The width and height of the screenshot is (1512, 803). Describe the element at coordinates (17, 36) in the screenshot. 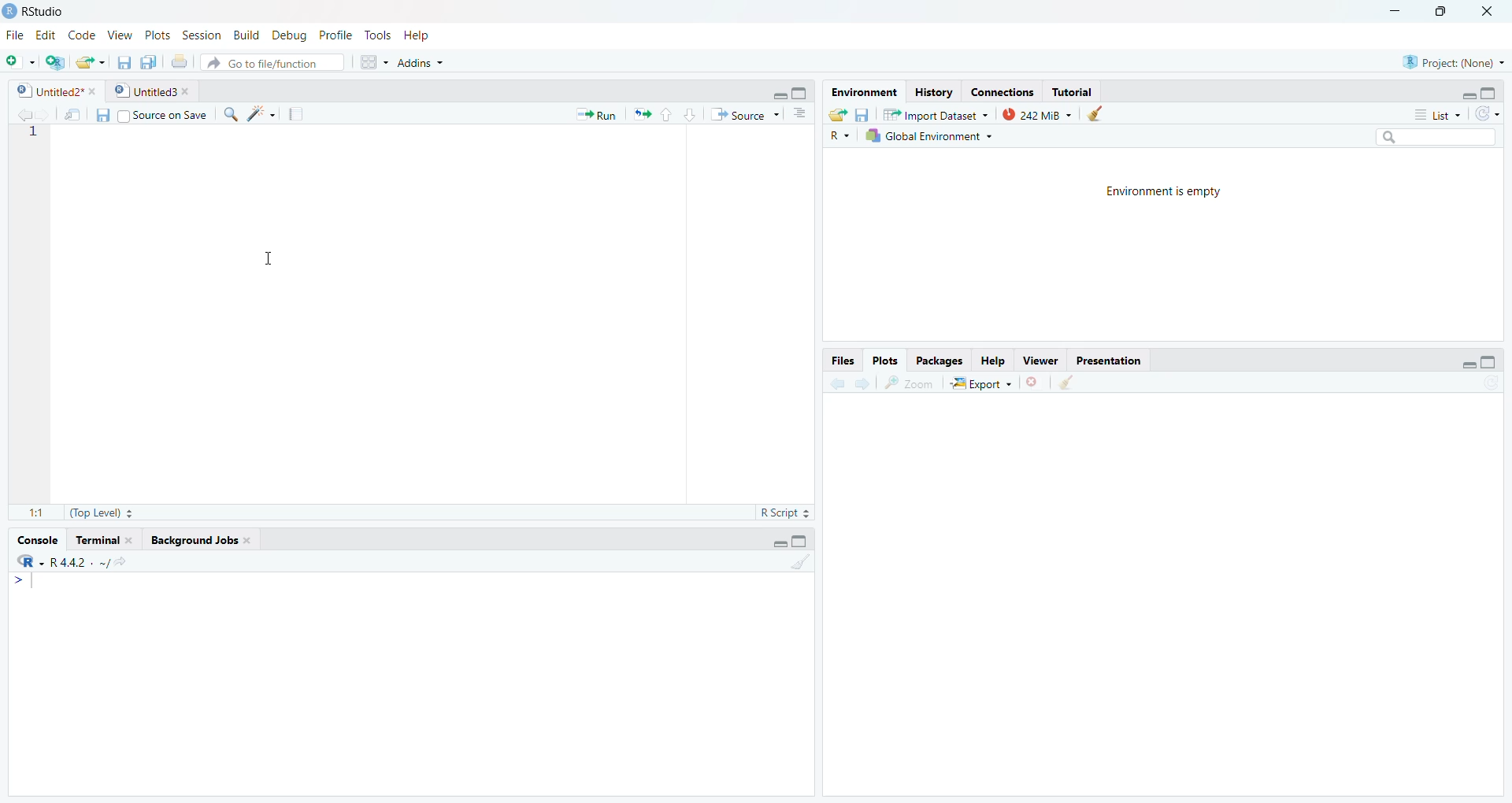

I see `File` at that location.